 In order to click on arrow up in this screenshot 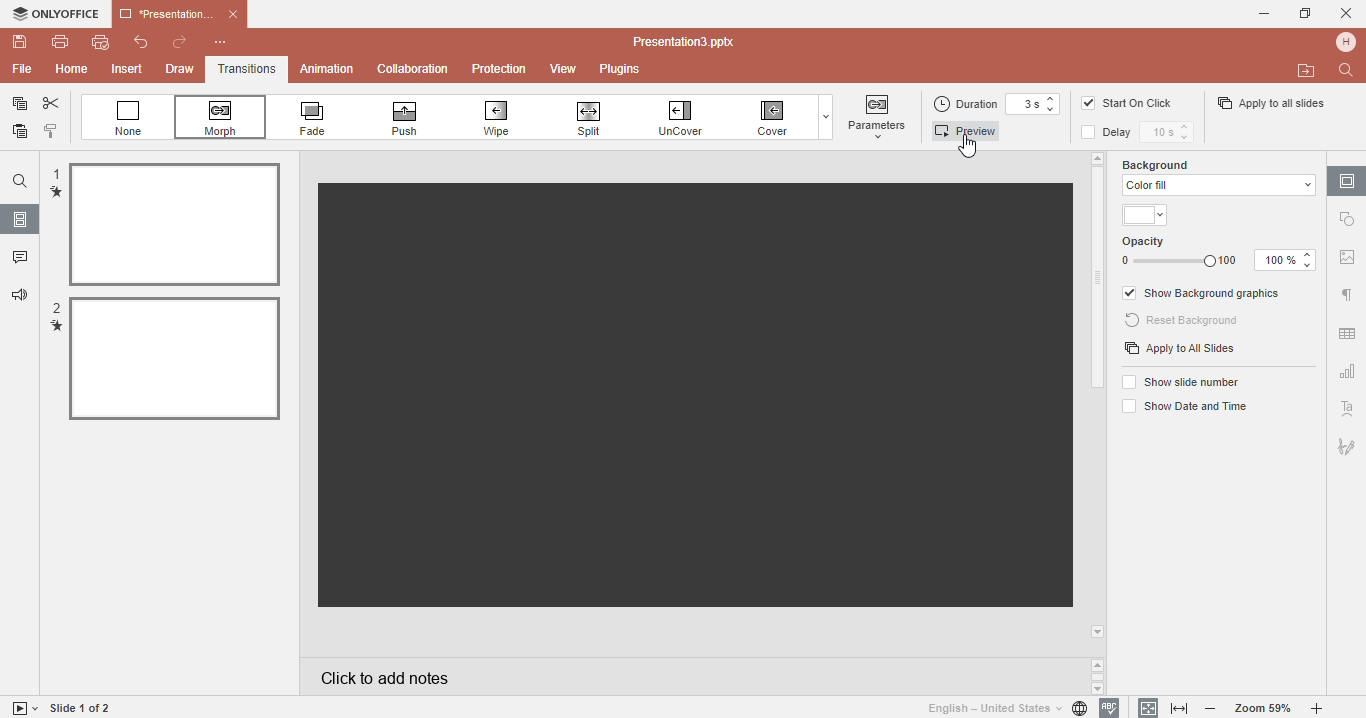, I will do `click(1097, 157)`.